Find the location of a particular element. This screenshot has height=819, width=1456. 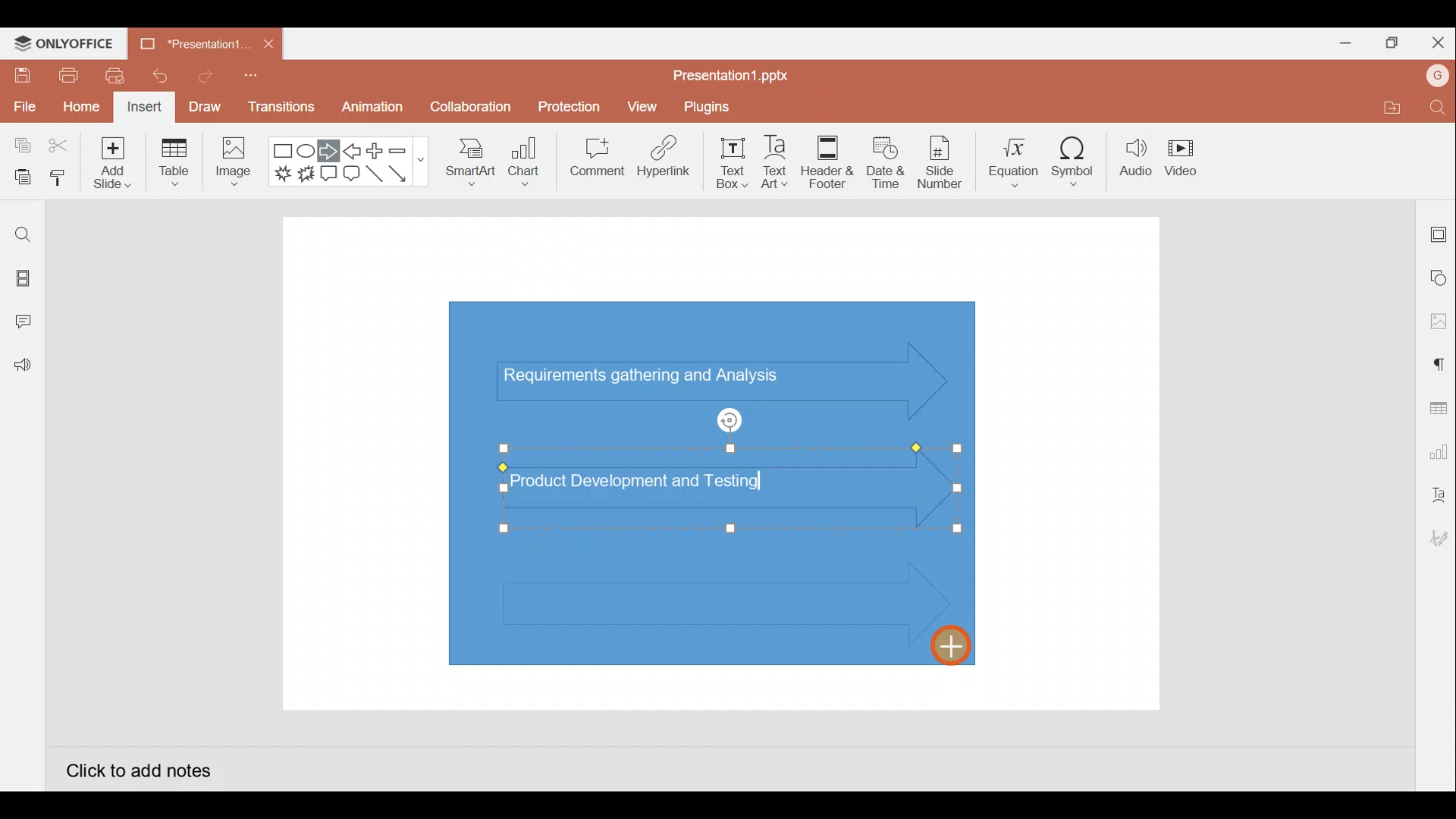

Explosion 2 is located at coordinates (306, 174).